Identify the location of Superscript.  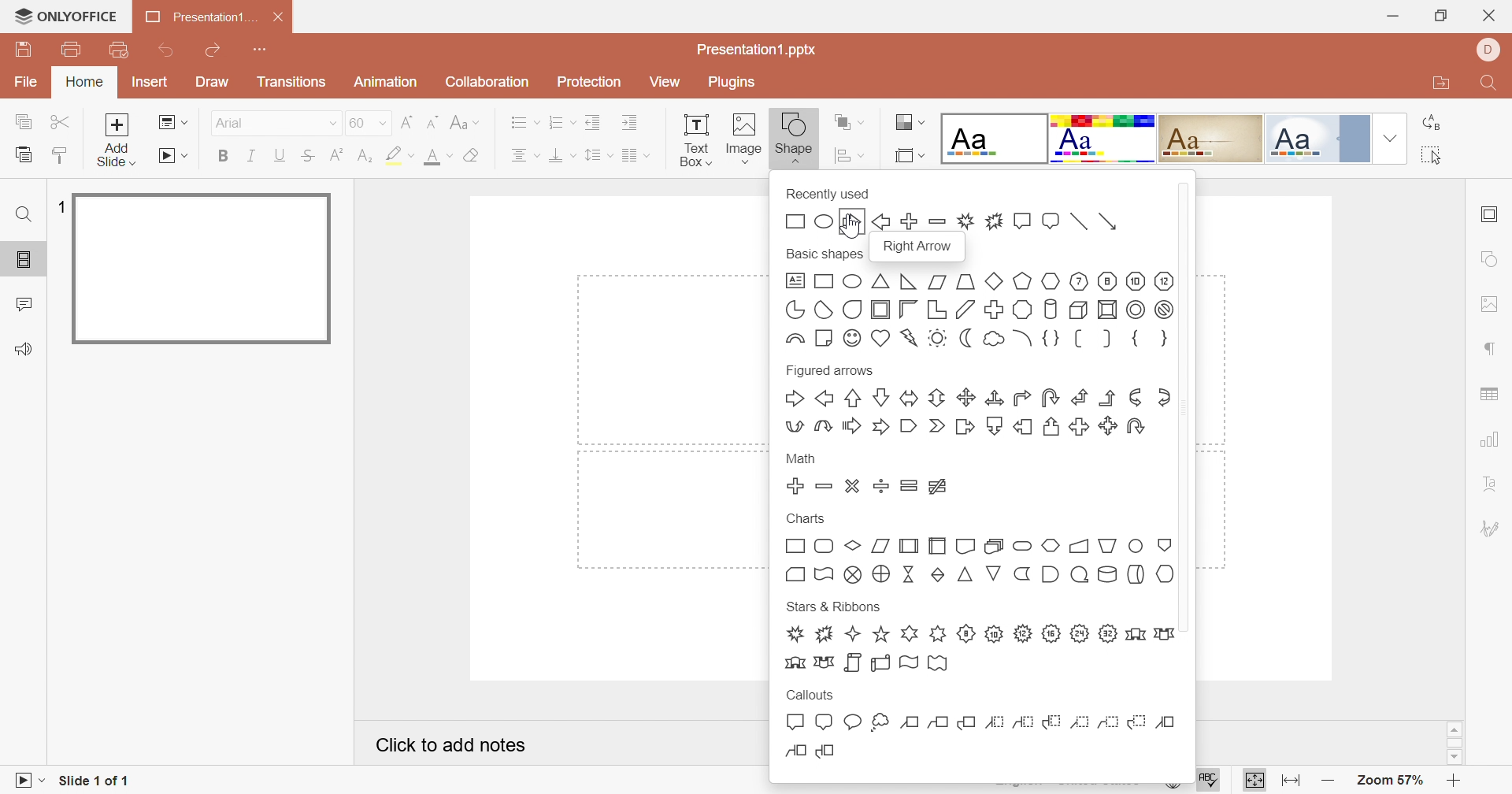
(339, 154).